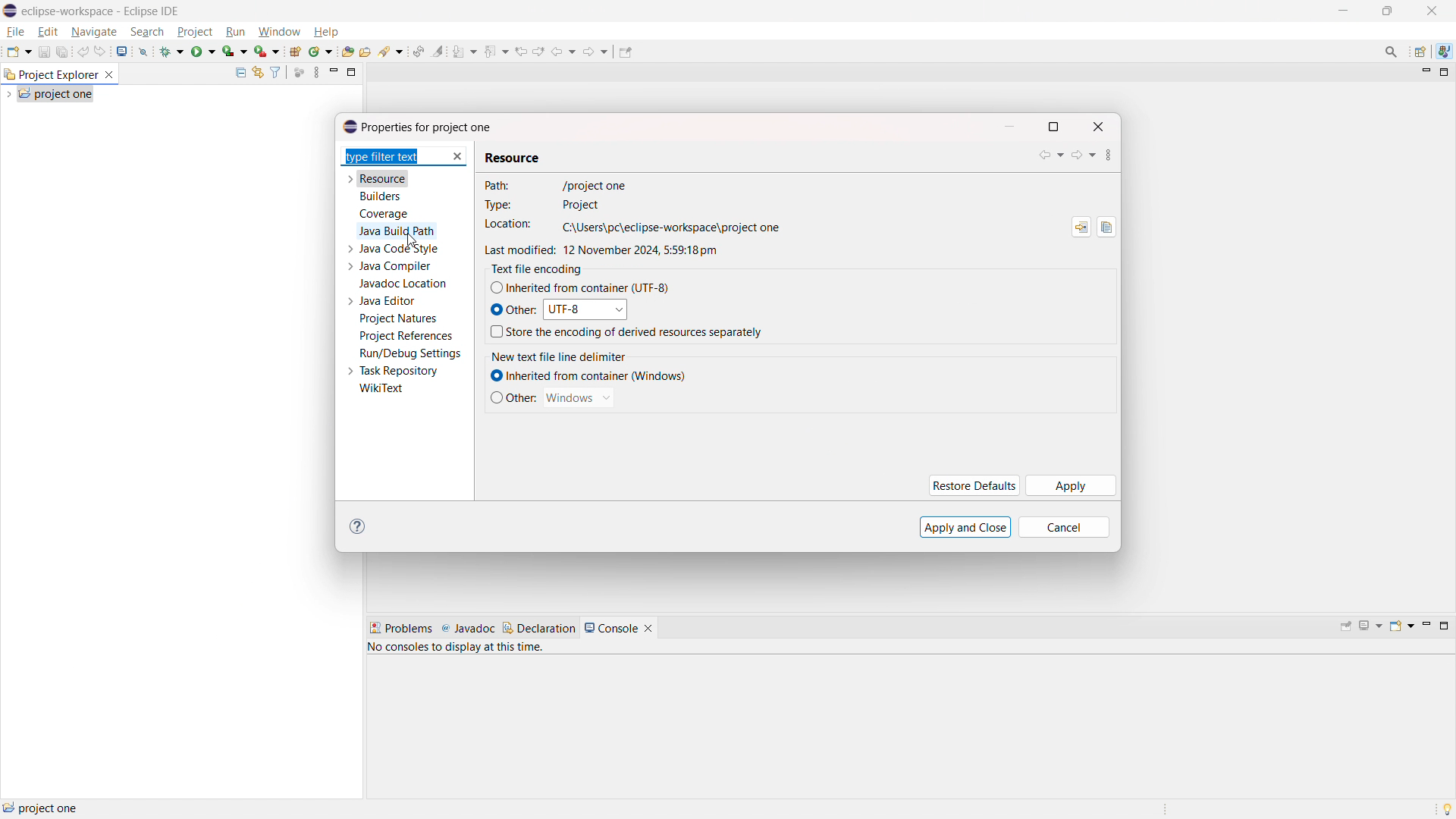 The height and width of the screenshot is (819, 1456). I want to click on run, so click(203, 50).